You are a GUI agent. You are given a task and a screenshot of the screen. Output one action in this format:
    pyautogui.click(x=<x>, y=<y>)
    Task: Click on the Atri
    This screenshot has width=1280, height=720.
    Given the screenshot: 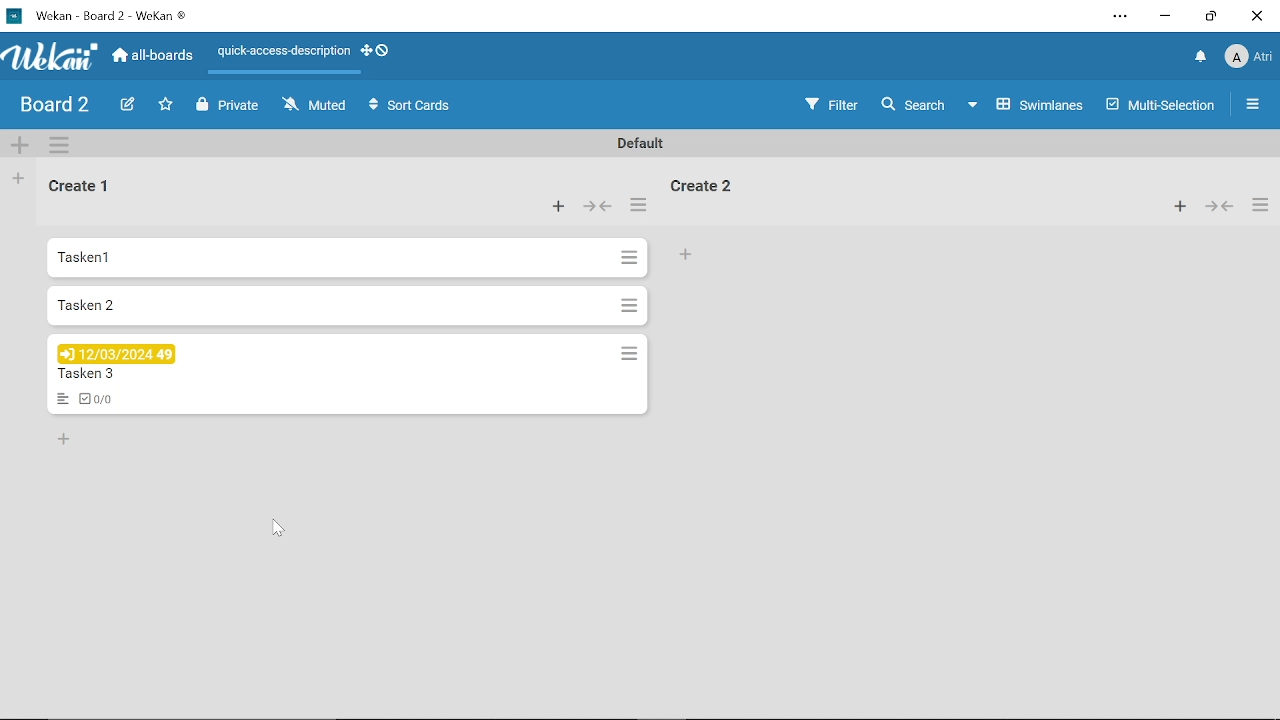 What is the action you would take?
    pyautogui.click(x=1248, y=57)
    